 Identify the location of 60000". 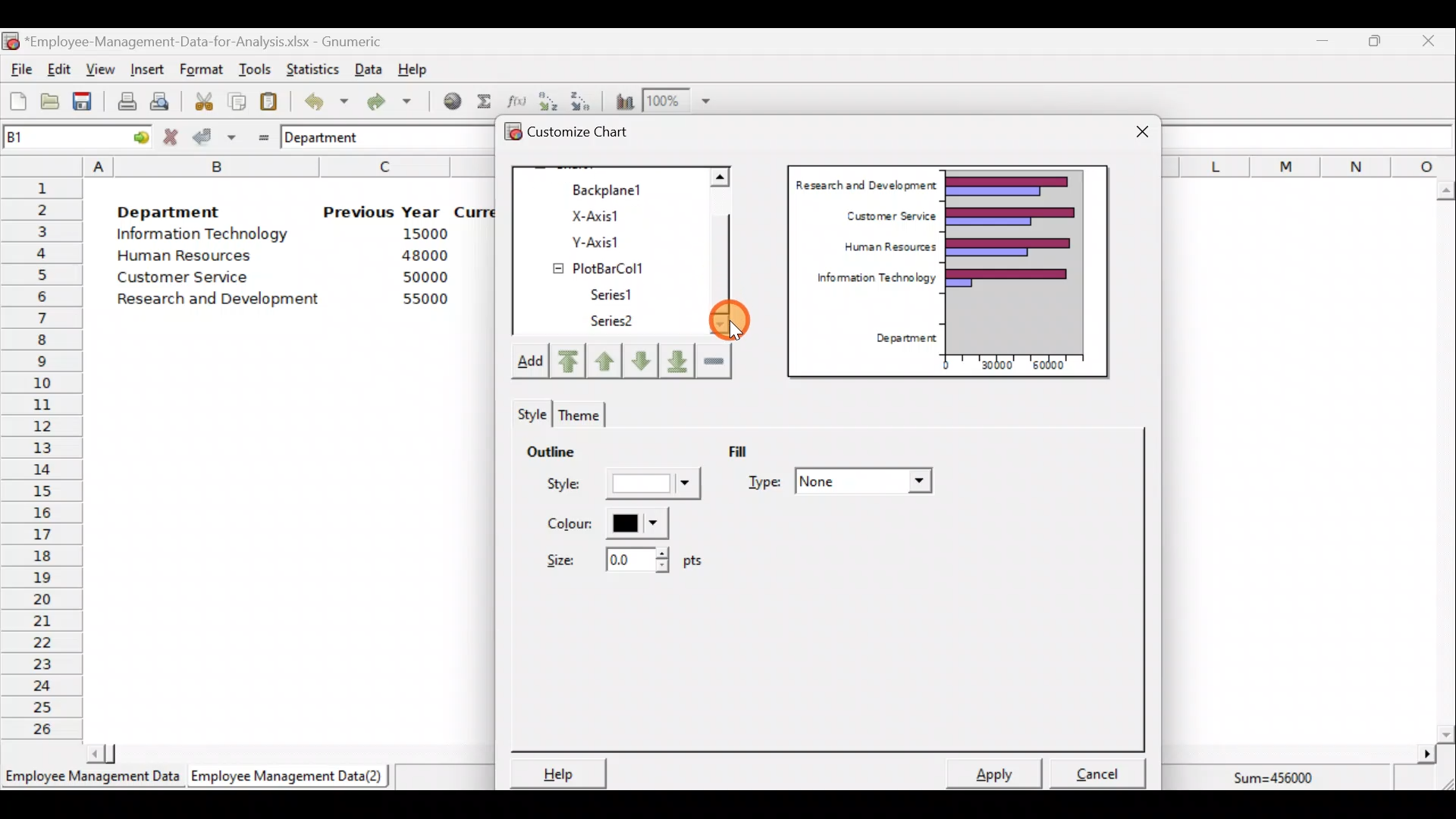
(1057, 367).